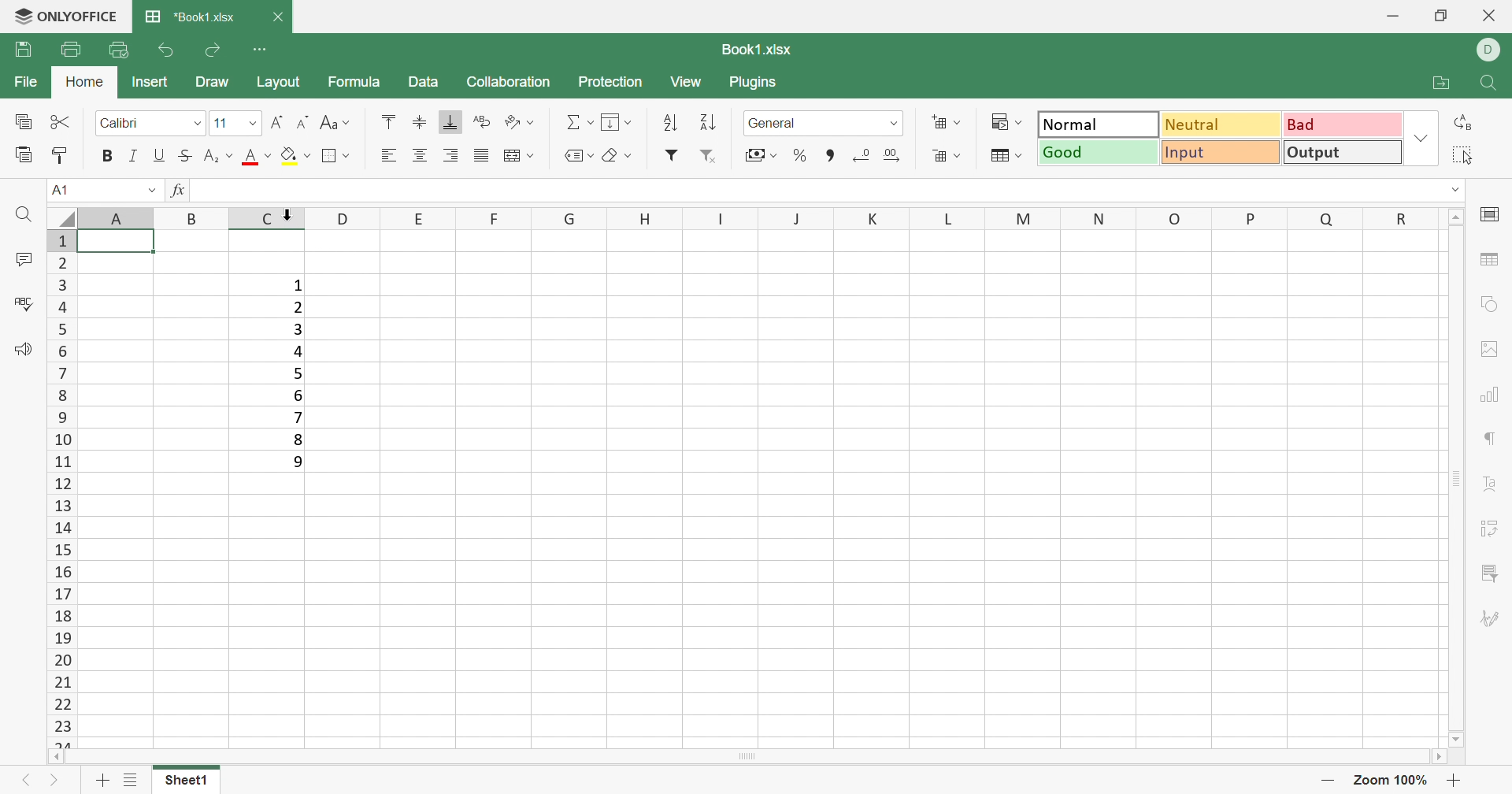  Describe the element at coordinates (131, 778) in the screenshot. I see `List of sheets` at that location.